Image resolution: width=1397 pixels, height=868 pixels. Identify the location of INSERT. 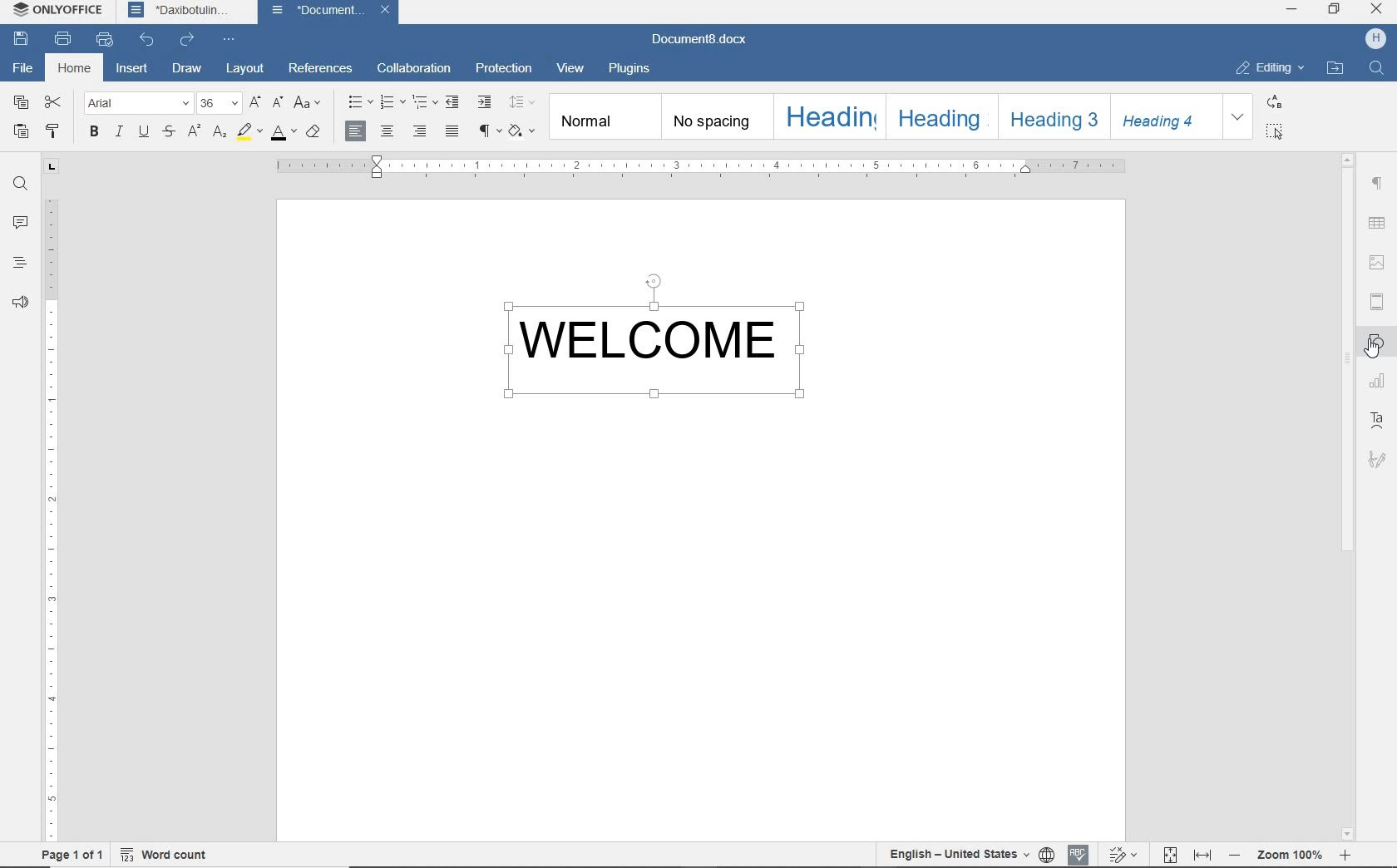
(132, 70).